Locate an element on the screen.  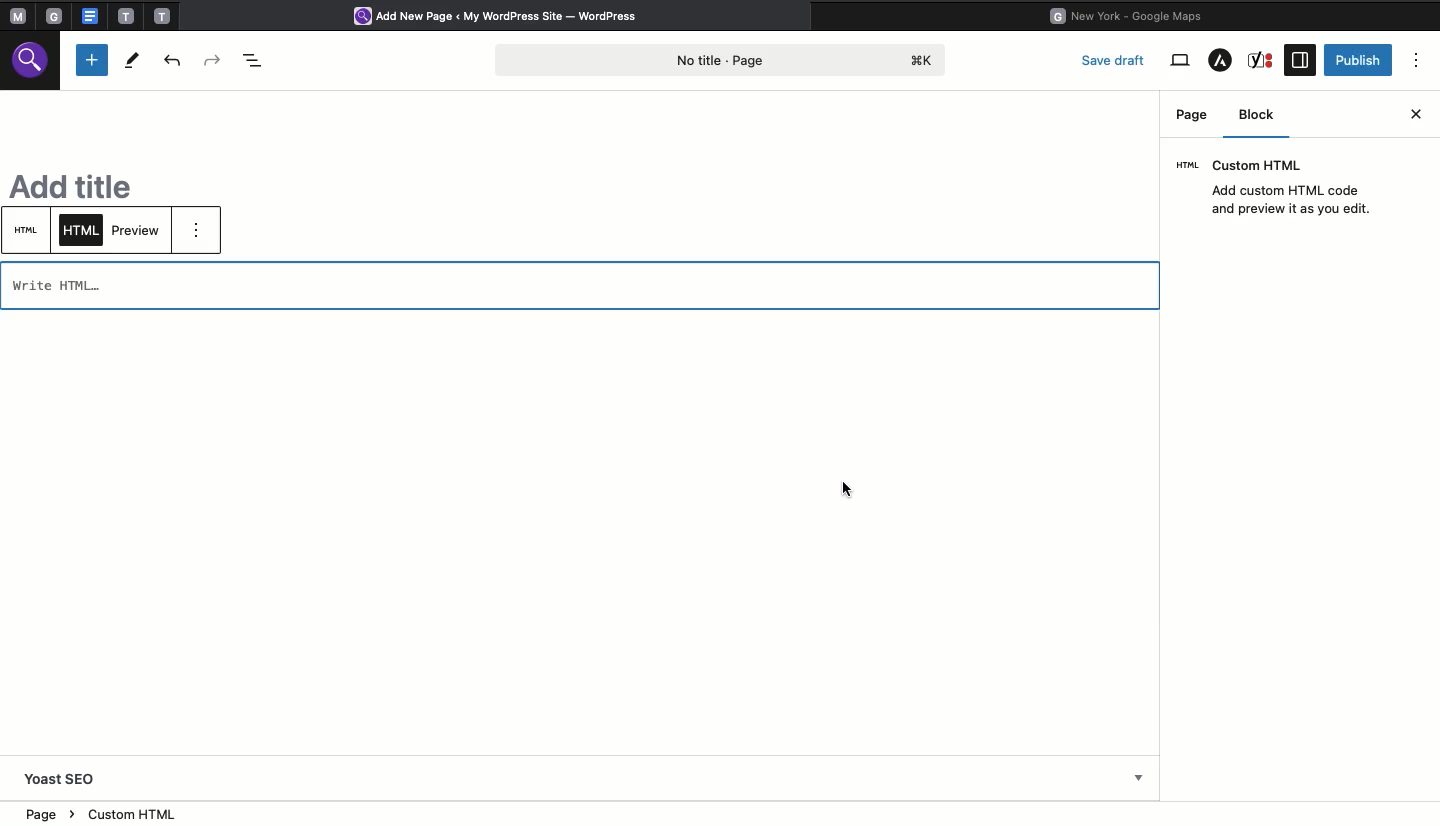
Document overview is located at coordinates (253, 58).